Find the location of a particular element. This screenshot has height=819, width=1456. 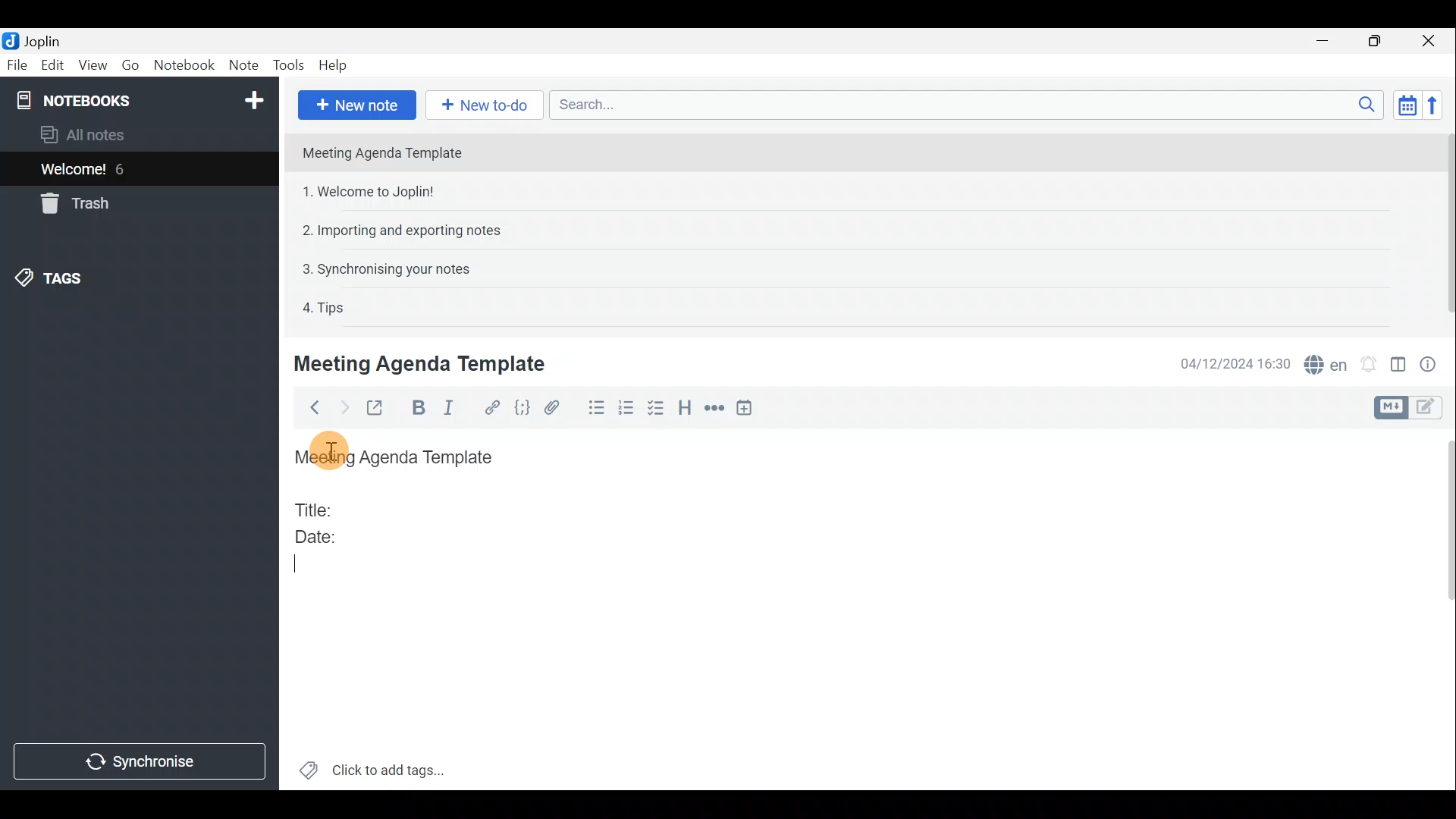

New to-do is located at coordinates (480, 104).